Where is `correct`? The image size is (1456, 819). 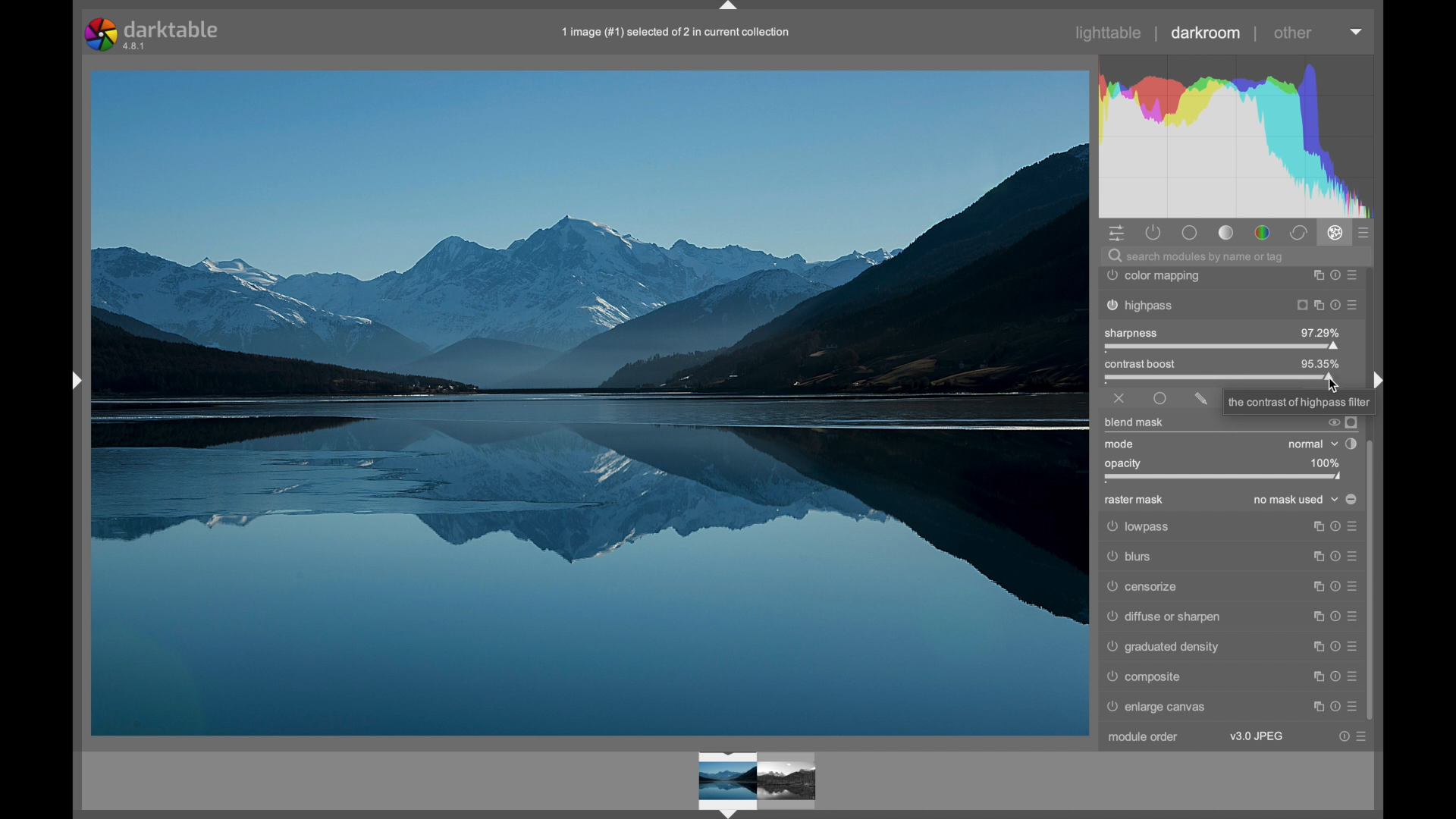 correct is located at coordinates (1298, 234).